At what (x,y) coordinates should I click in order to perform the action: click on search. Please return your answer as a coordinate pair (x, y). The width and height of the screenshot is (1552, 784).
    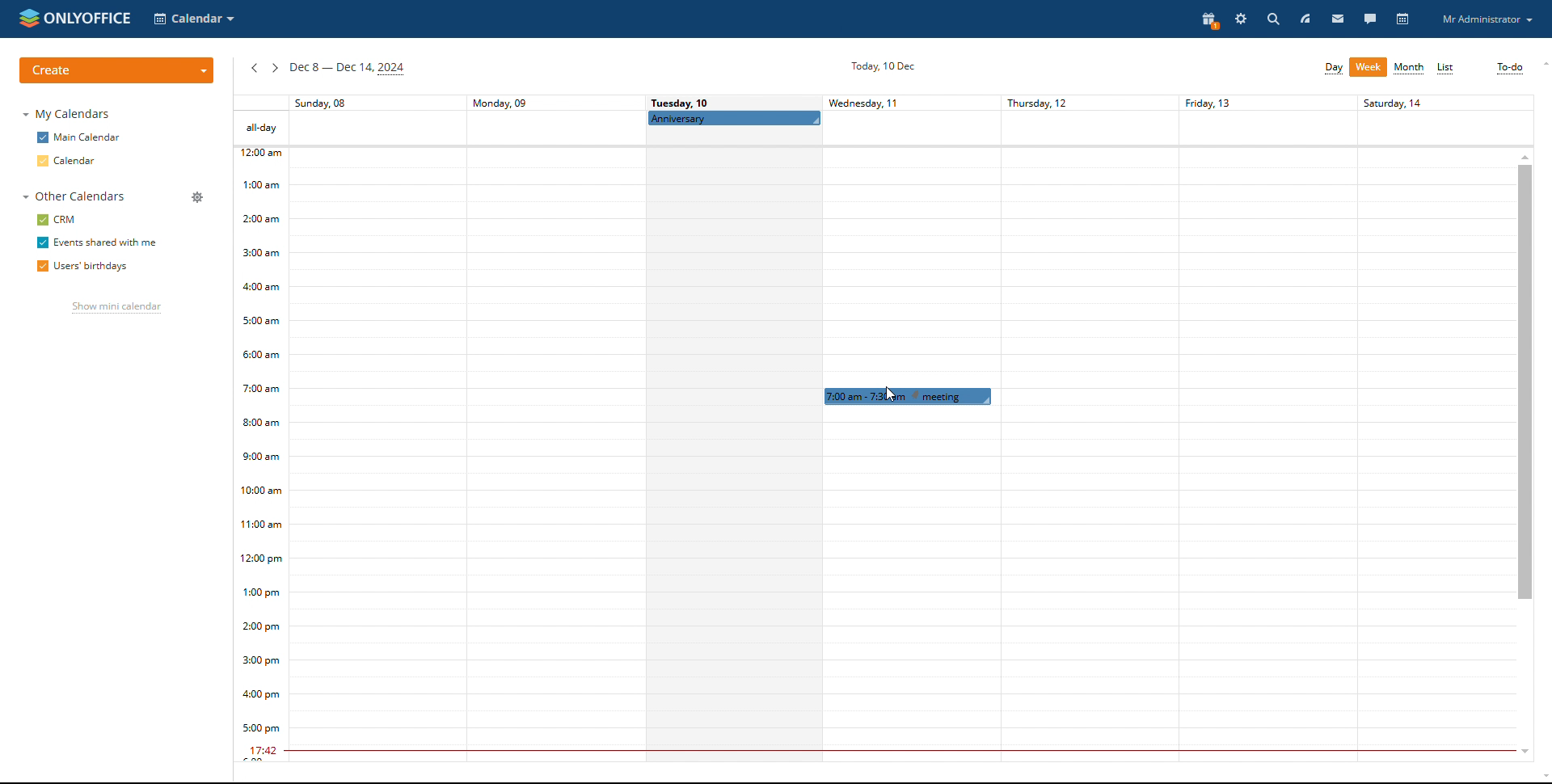
    Looking at the image, I should click on (1272, 19).